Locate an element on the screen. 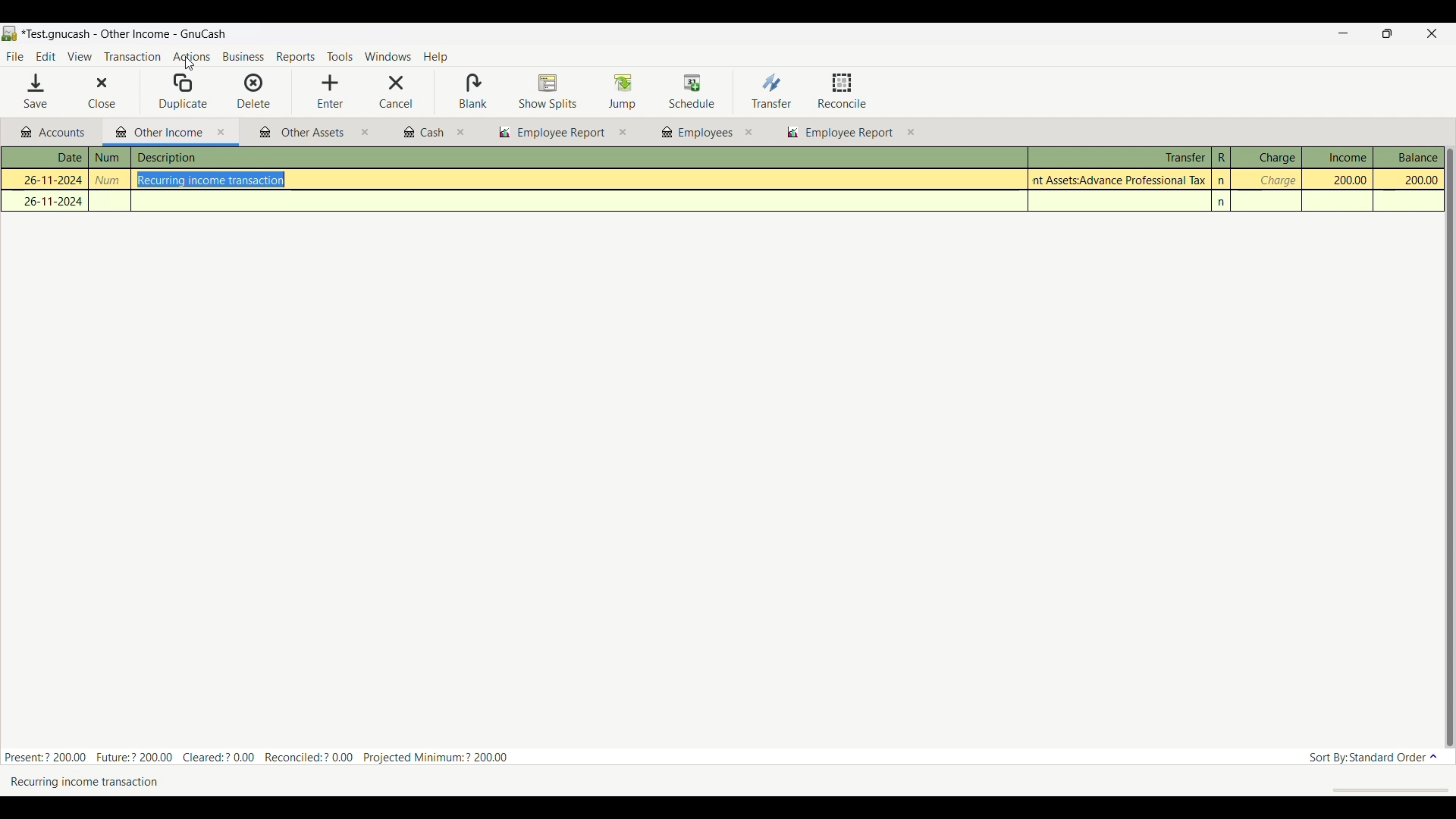 This screenshot has height=819, width=1456. 200.00 is located at coordinates (1342, 180).